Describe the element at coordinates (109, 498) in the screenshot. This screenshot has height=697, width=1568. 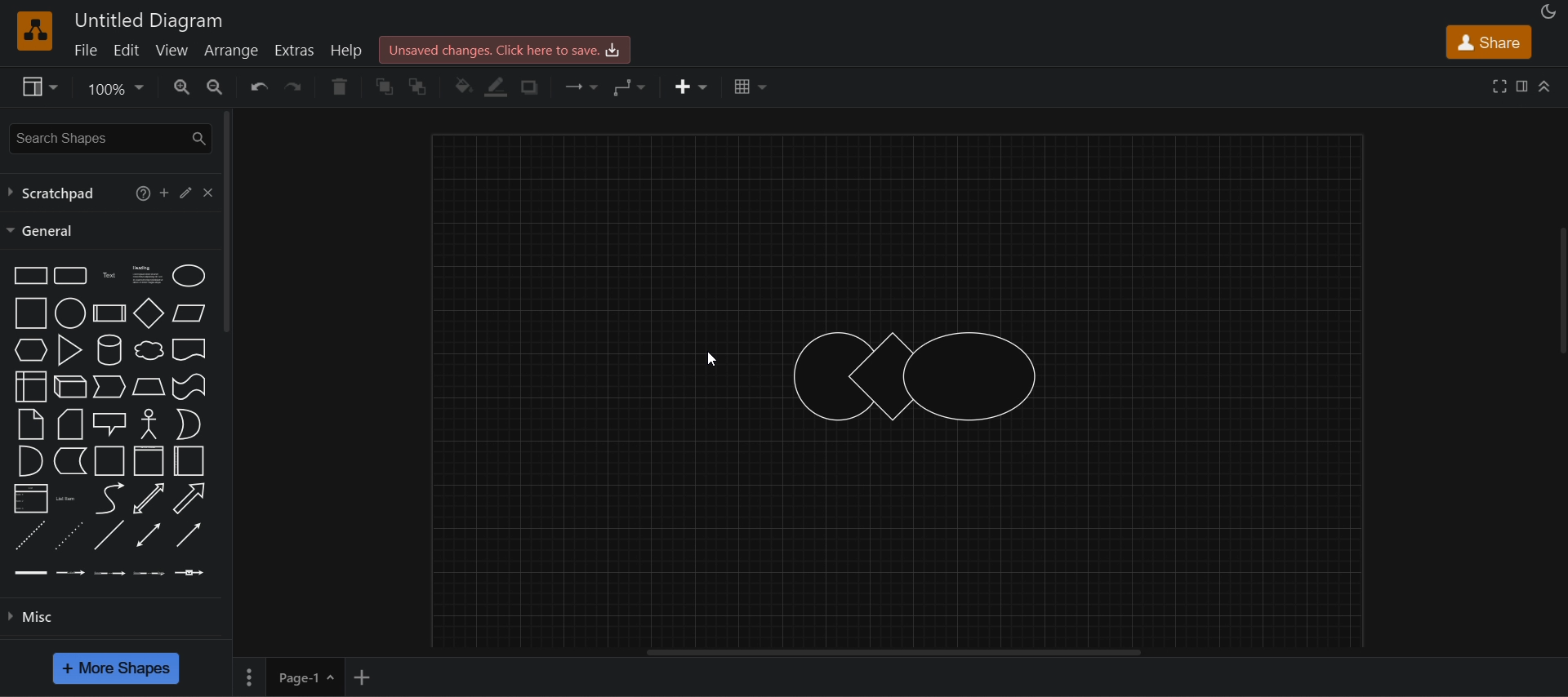
I see `Curve` at that location.